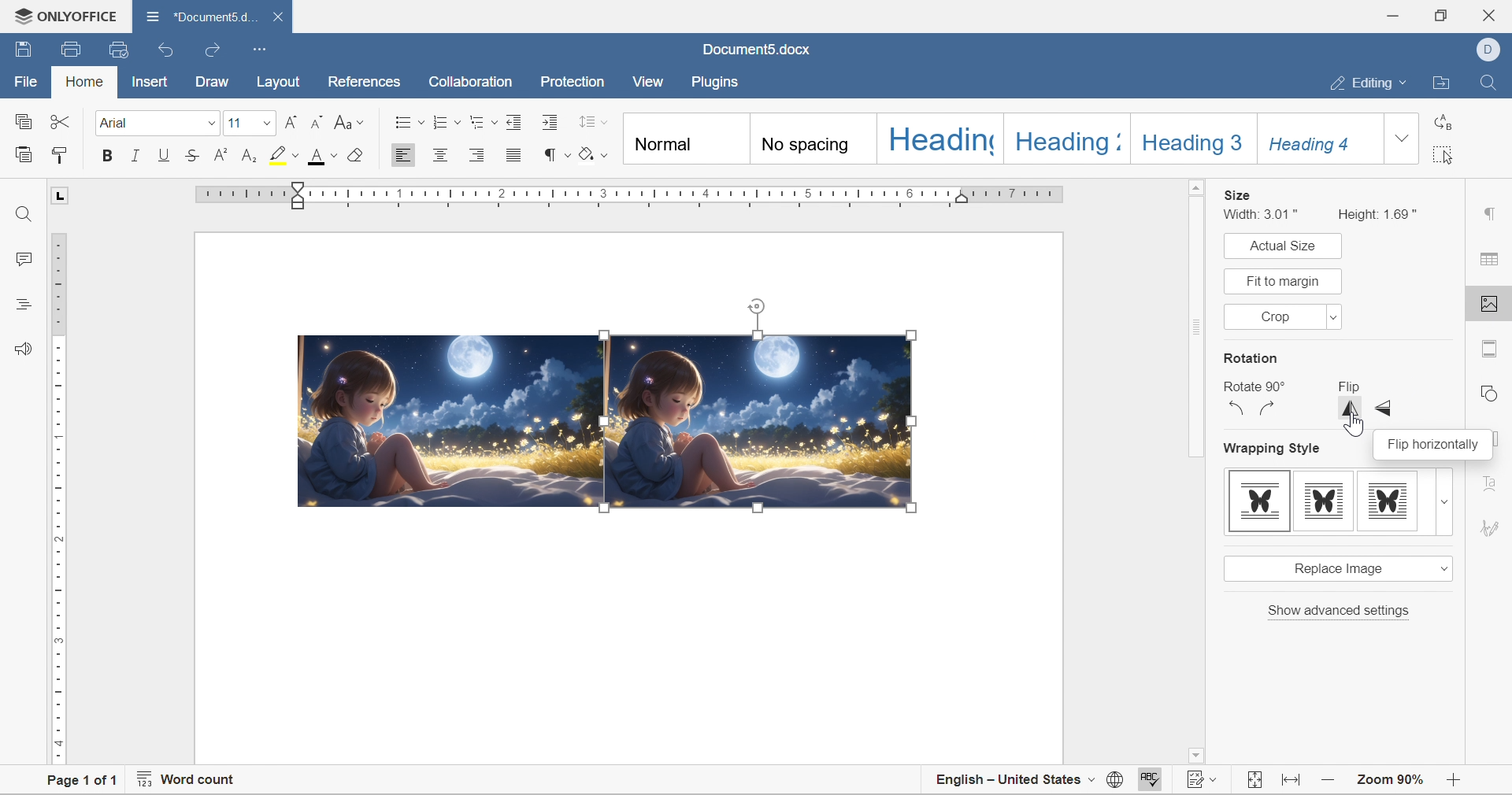 The image size is (1512, 795). I want to click on inline with text, so click(1261, 501).